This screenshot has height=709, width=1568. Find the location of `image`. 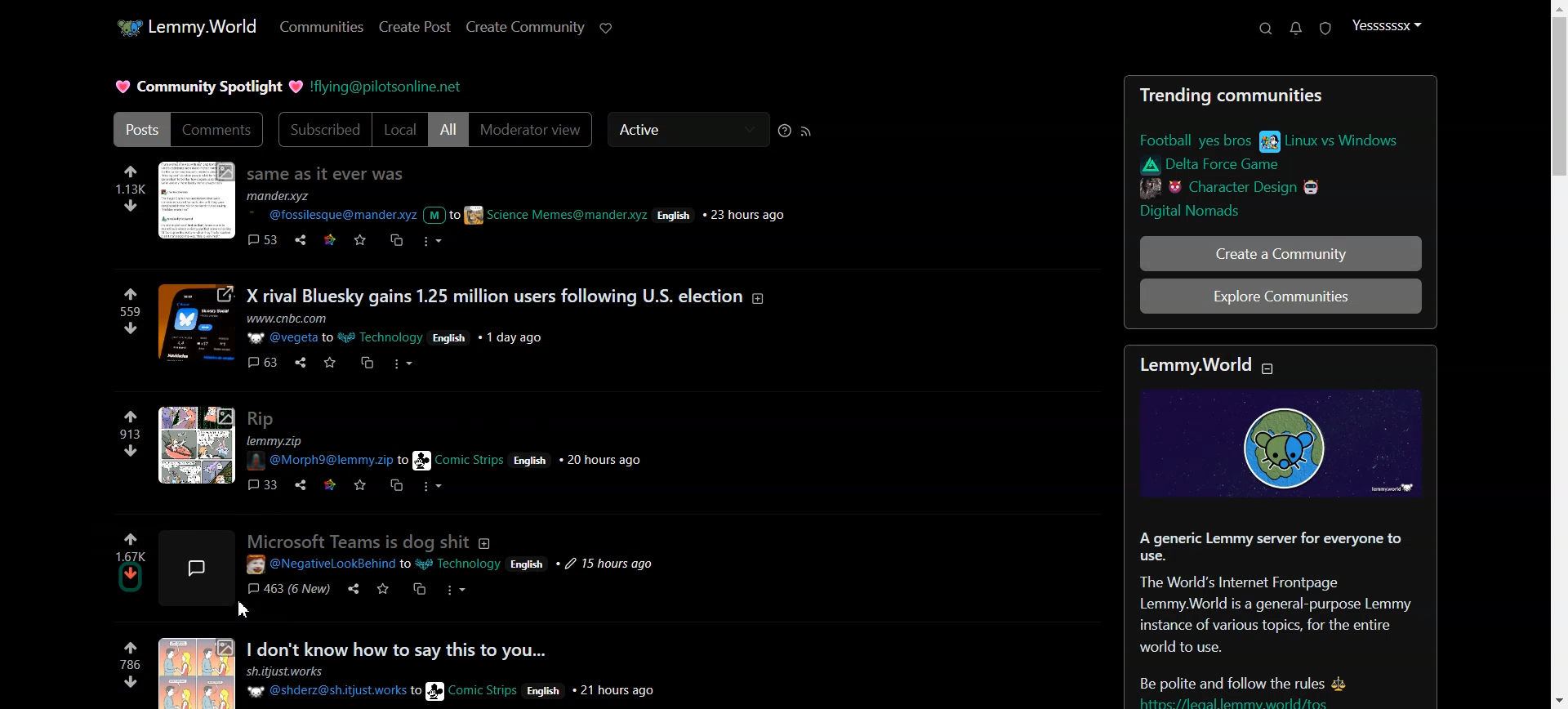

image is located at coordinates (198, 445).